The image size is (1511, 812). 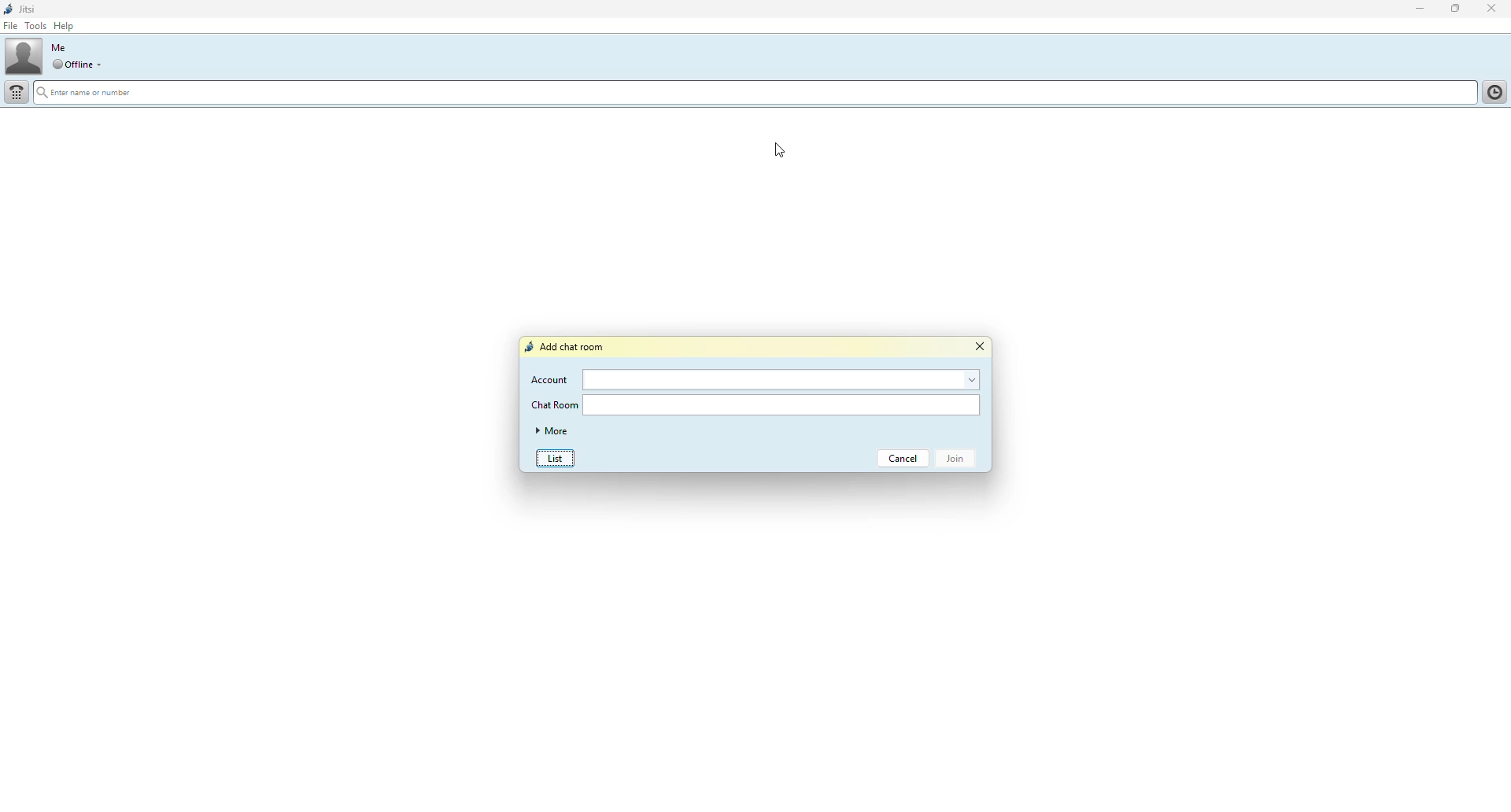 I want to click on jitsi, so click(x=21, y=9).